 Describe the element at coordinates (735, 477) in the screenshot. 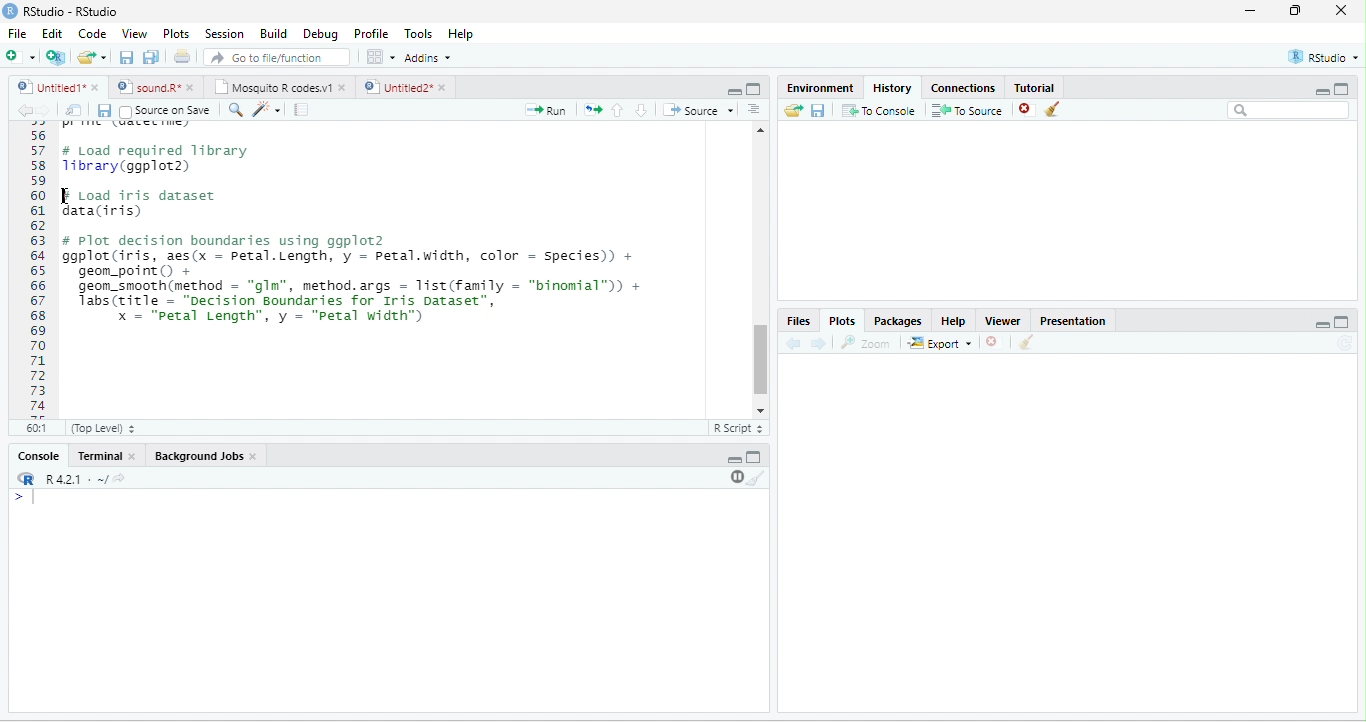

I see `pause` at that location.